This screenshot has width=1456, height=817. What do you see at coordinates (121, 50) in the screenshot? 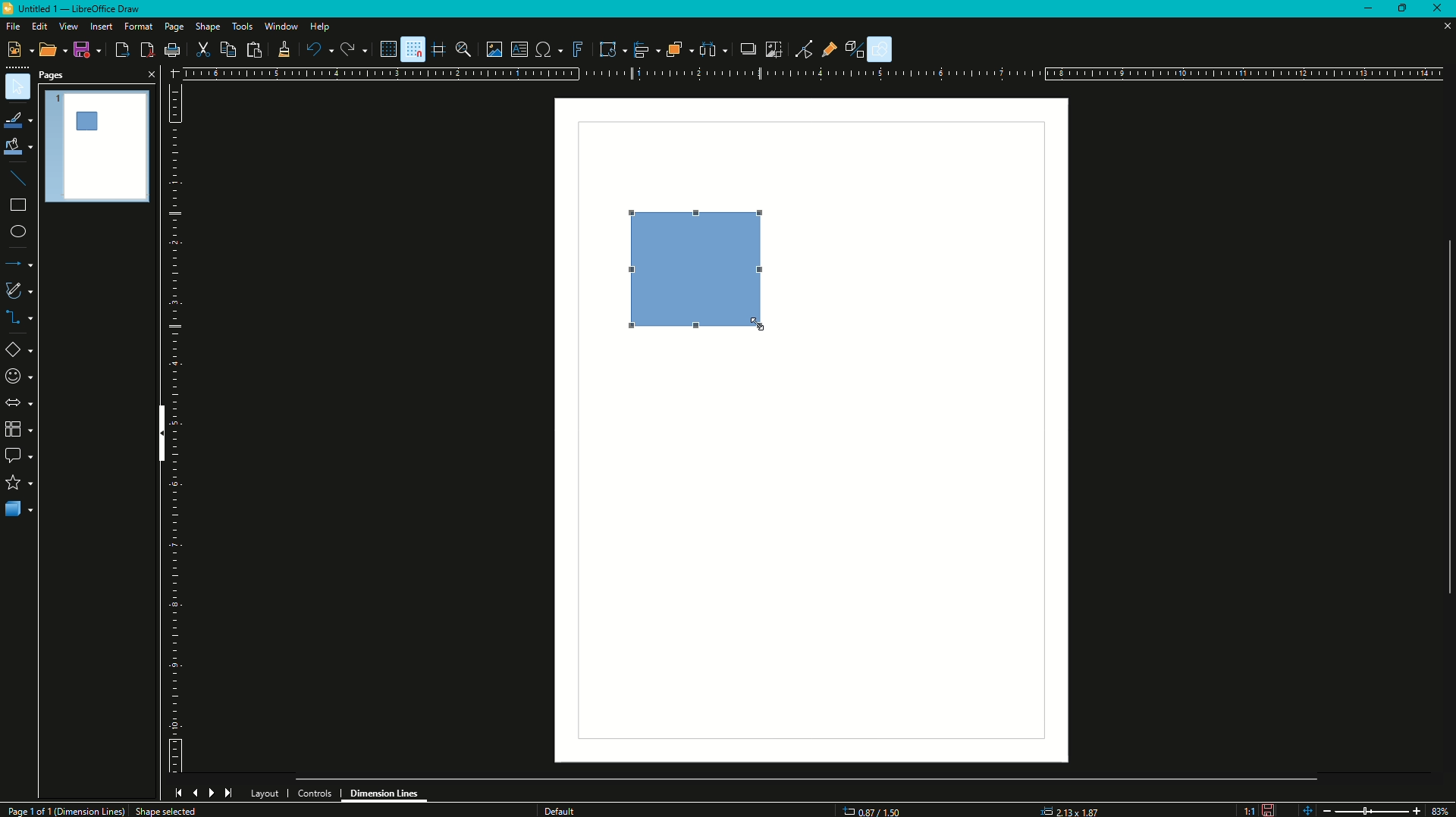
I see `Export` at bounding box center [121, 50].